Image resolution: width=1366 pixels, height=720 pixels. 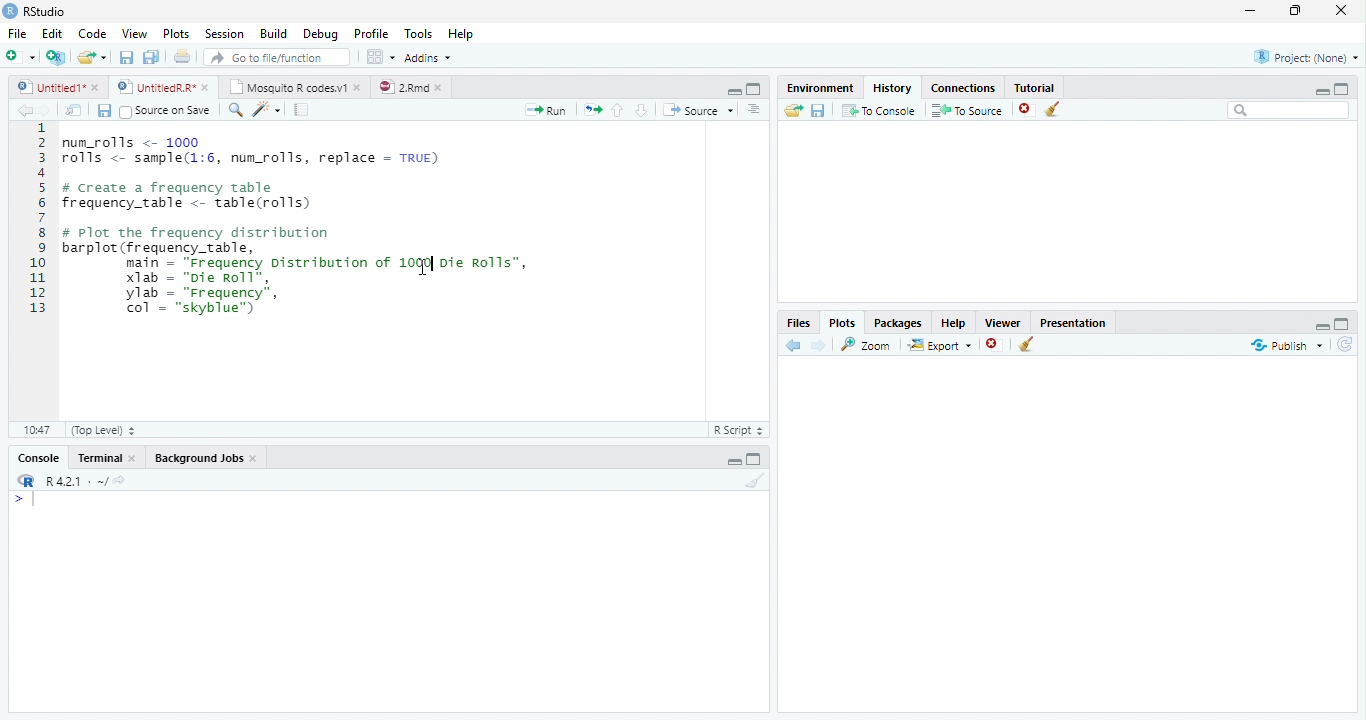 What do you see at coordinates (463, 33) in the screenshot?
I see `Help` at bounding box center [463, 33].